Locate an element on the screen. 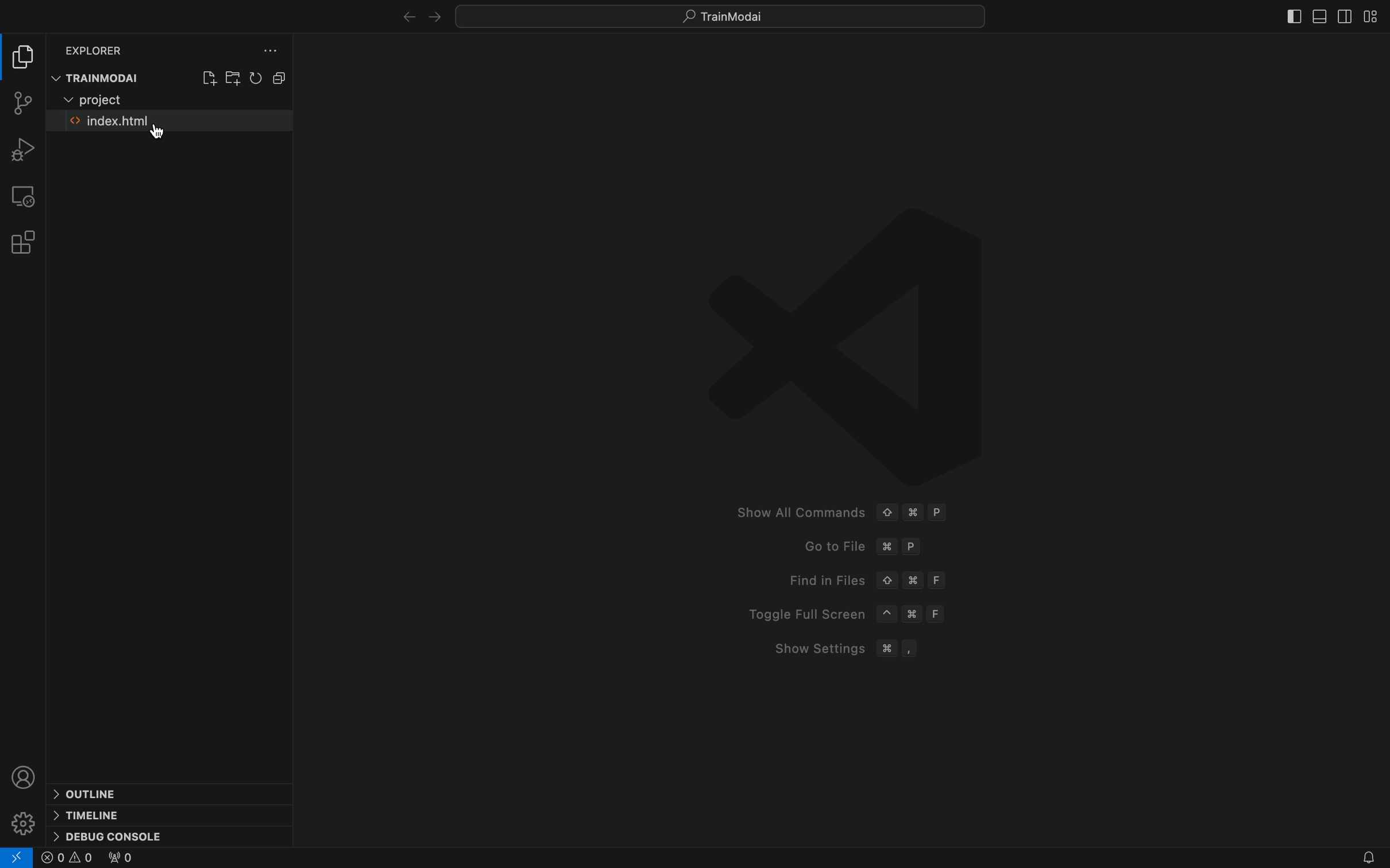  explore settings is located at coordinates (266, 52).